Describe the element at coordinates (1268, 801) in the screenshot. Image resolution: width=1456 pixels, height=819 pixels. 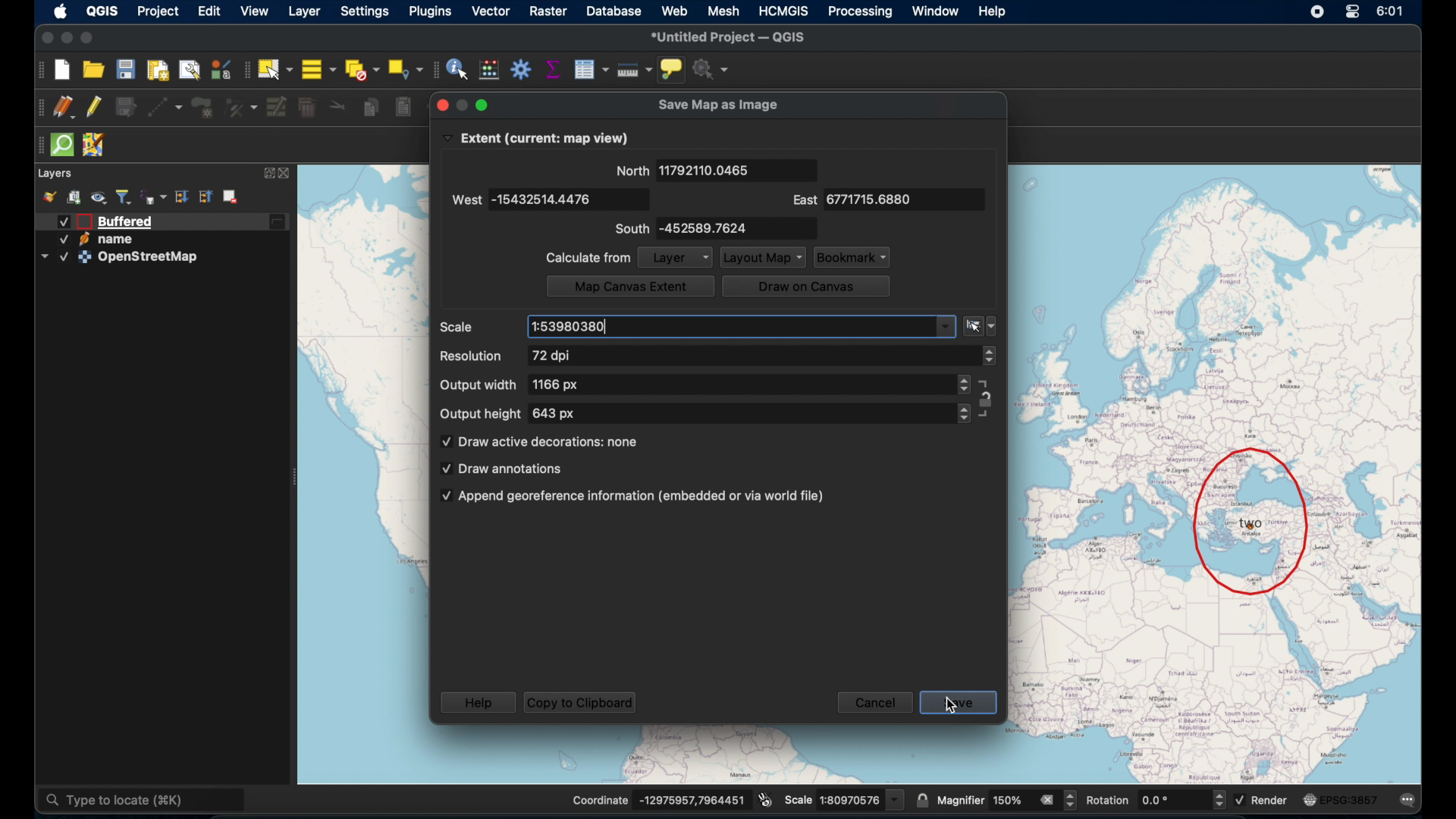
I see `render` at that location.